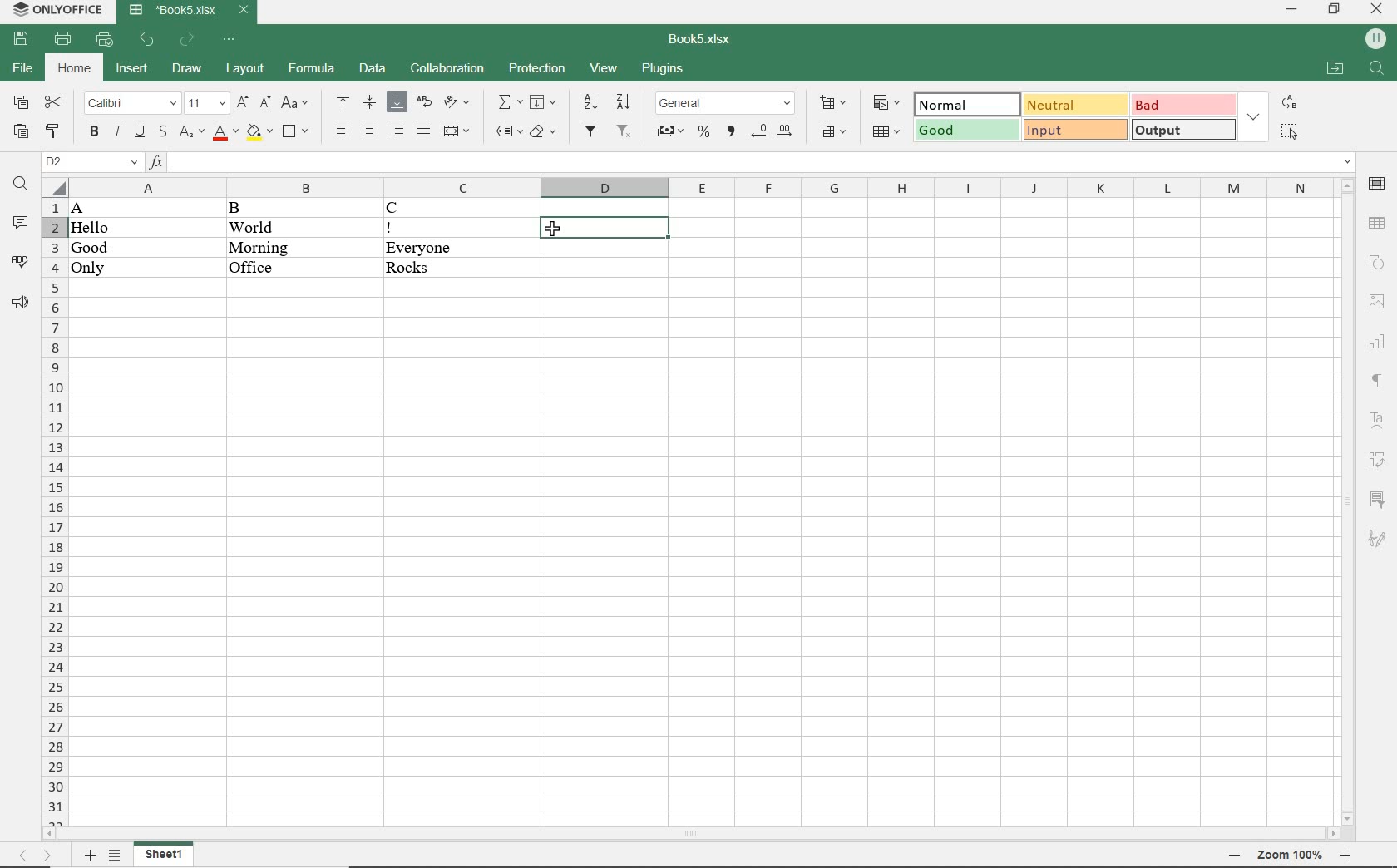 Image resolution: width=1397 pixels, height=868 pixels. What do you see at coordinates (460, 248) in the screenshot?
I see `Everyone` at bounding box center [460, 248].